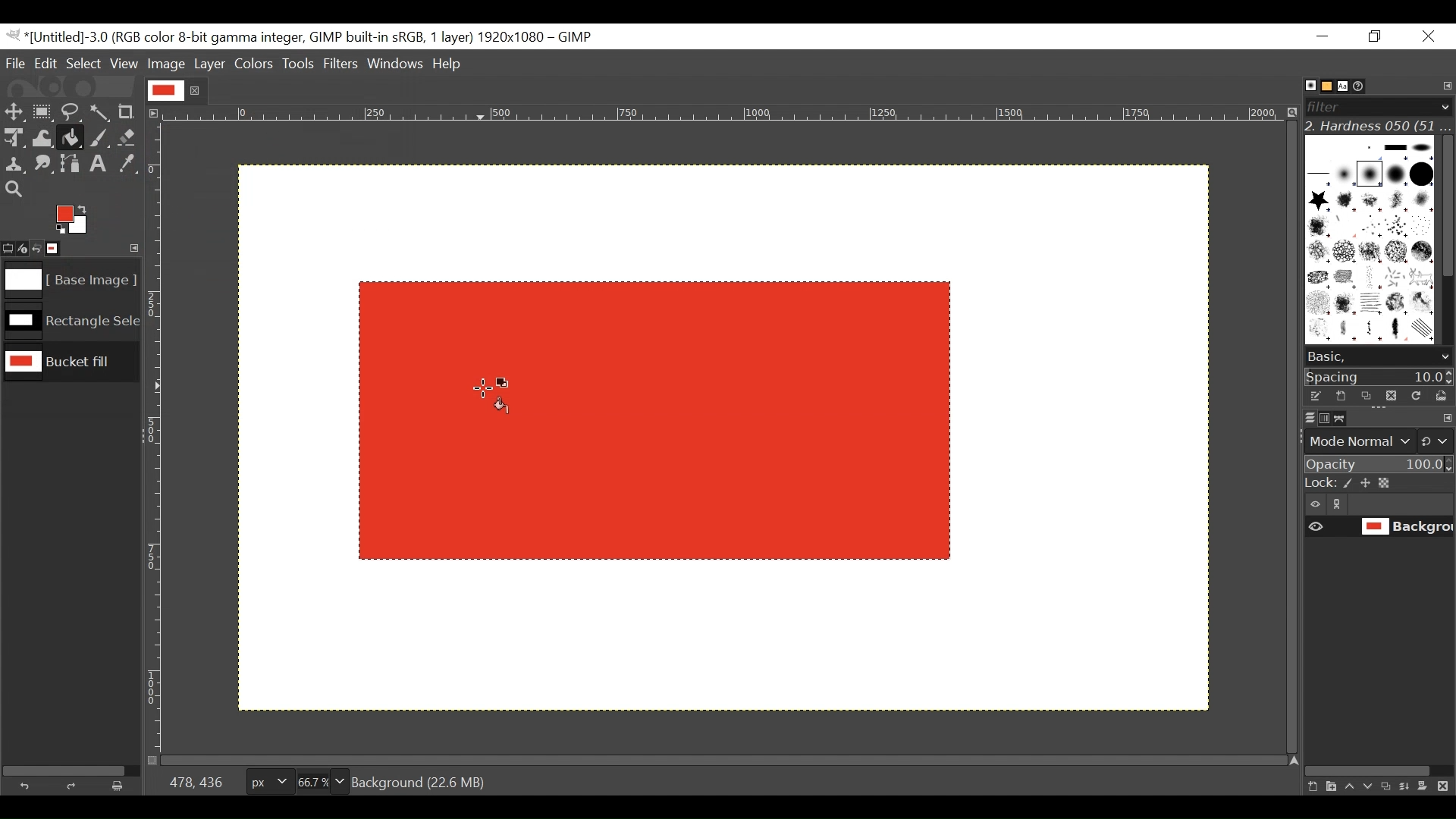 This screenshot has width=1456, height=819. Describe the element at coordinates (71, 139) in the screenshot. I see `Bucket Fill tool` at that location.